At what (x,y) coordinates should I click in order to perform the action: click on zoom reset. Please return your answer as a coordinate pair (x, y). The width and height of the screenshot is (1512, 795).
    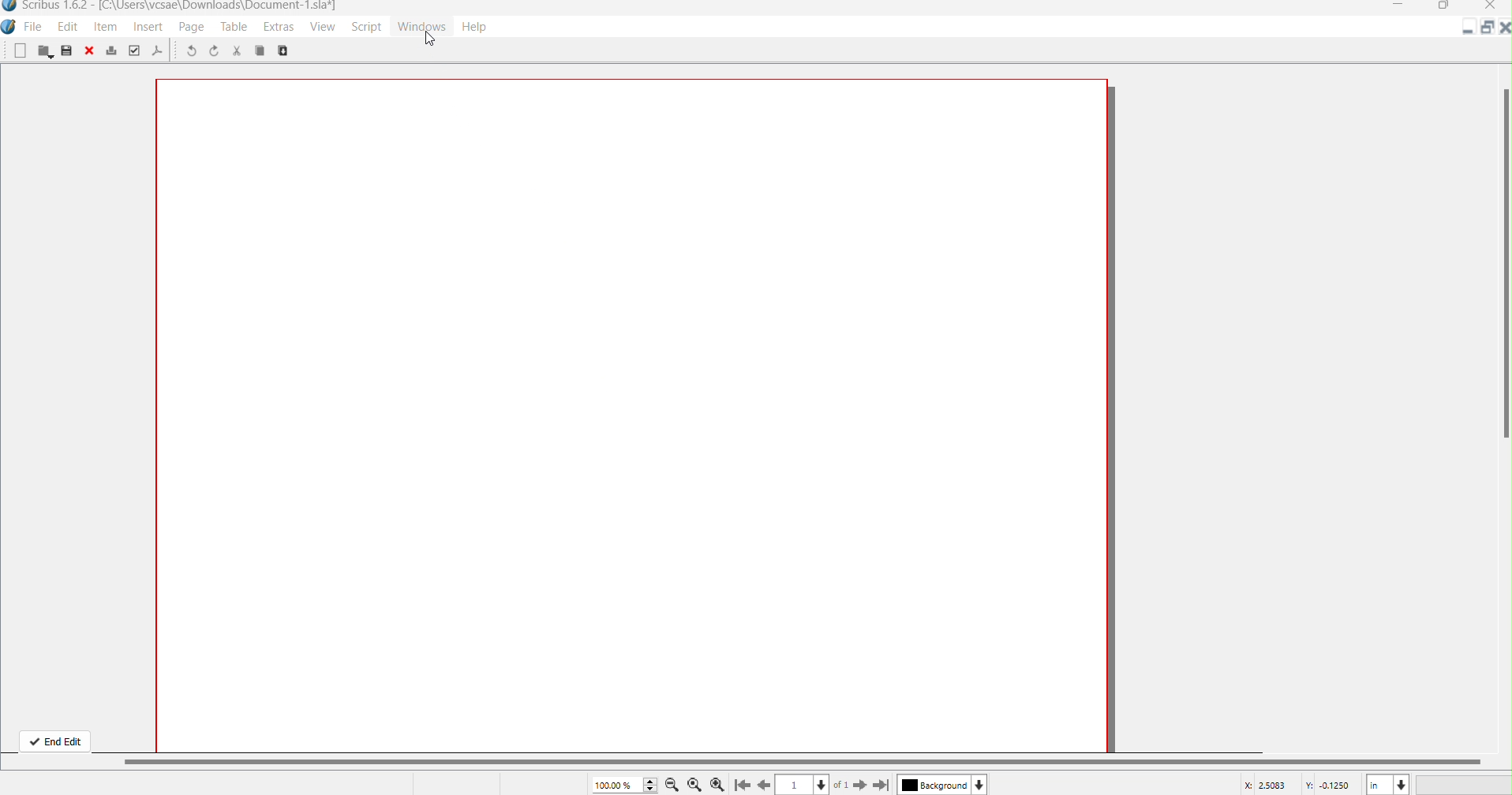
    Looking at the image, I should click on (694, 786).